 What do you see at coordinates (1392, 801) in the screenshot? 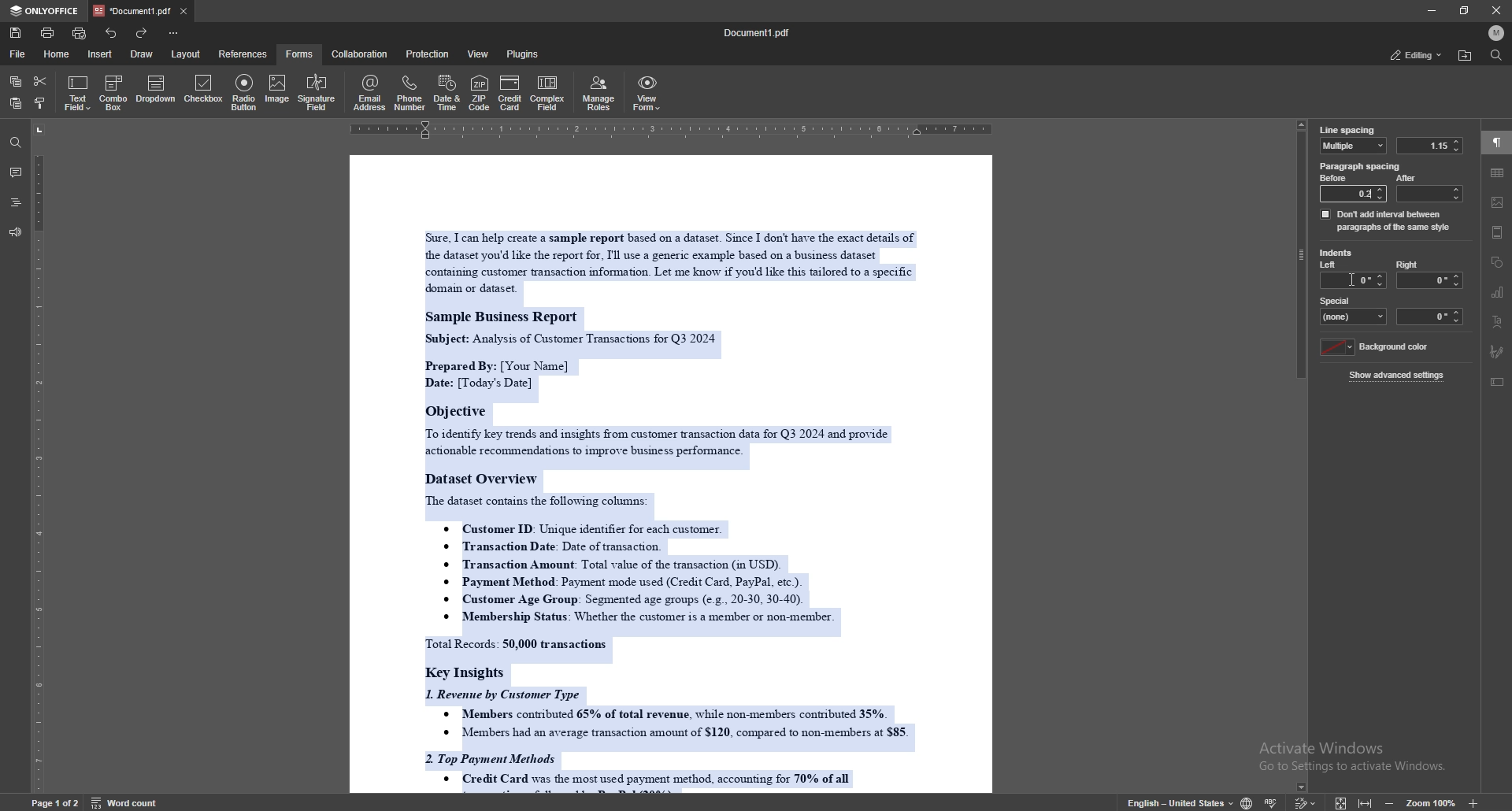
I see `zoom out` at bounding box center [1392, 801].